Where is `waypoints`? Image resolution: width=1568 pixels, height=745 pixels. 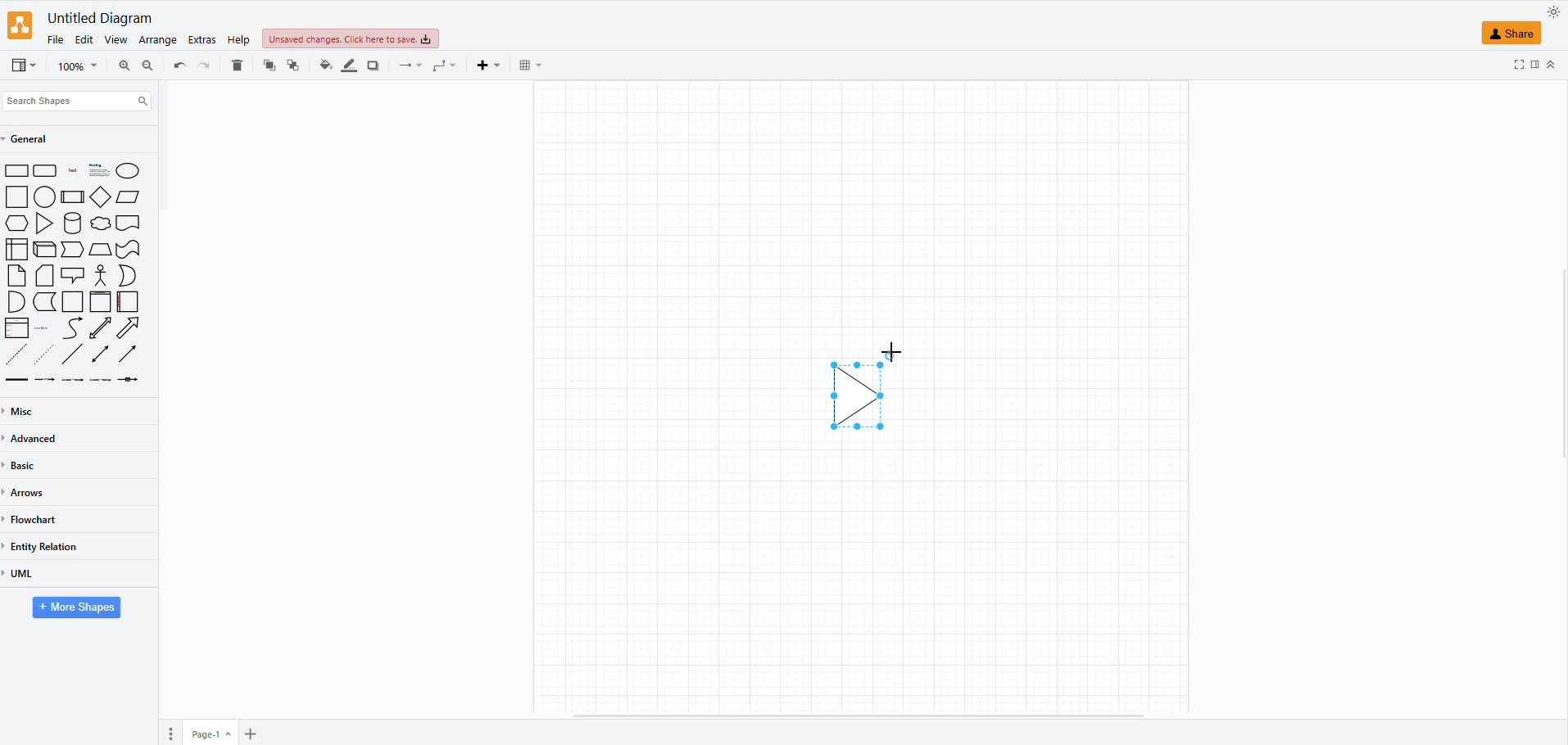 waypoints is located at coordinates (442, 68).